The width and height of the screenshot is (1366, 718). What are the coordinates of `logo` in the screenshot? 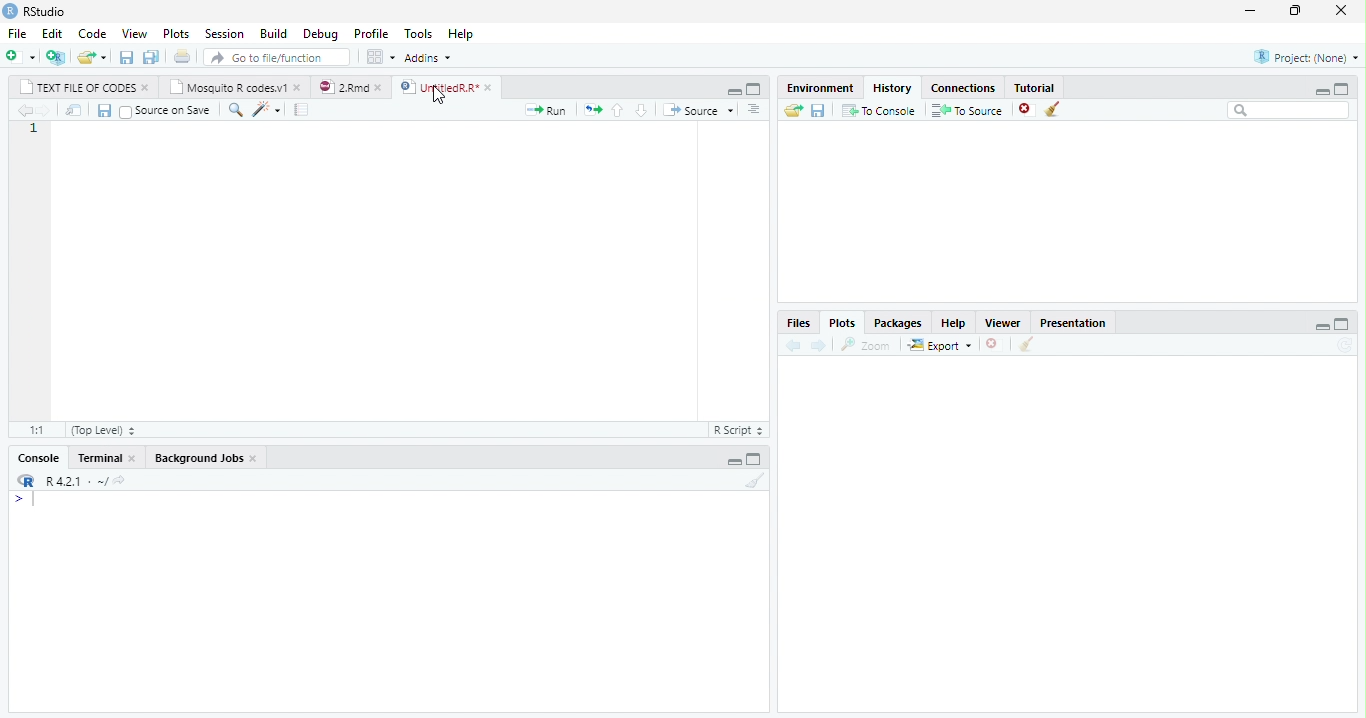 It's located at (26, 480).